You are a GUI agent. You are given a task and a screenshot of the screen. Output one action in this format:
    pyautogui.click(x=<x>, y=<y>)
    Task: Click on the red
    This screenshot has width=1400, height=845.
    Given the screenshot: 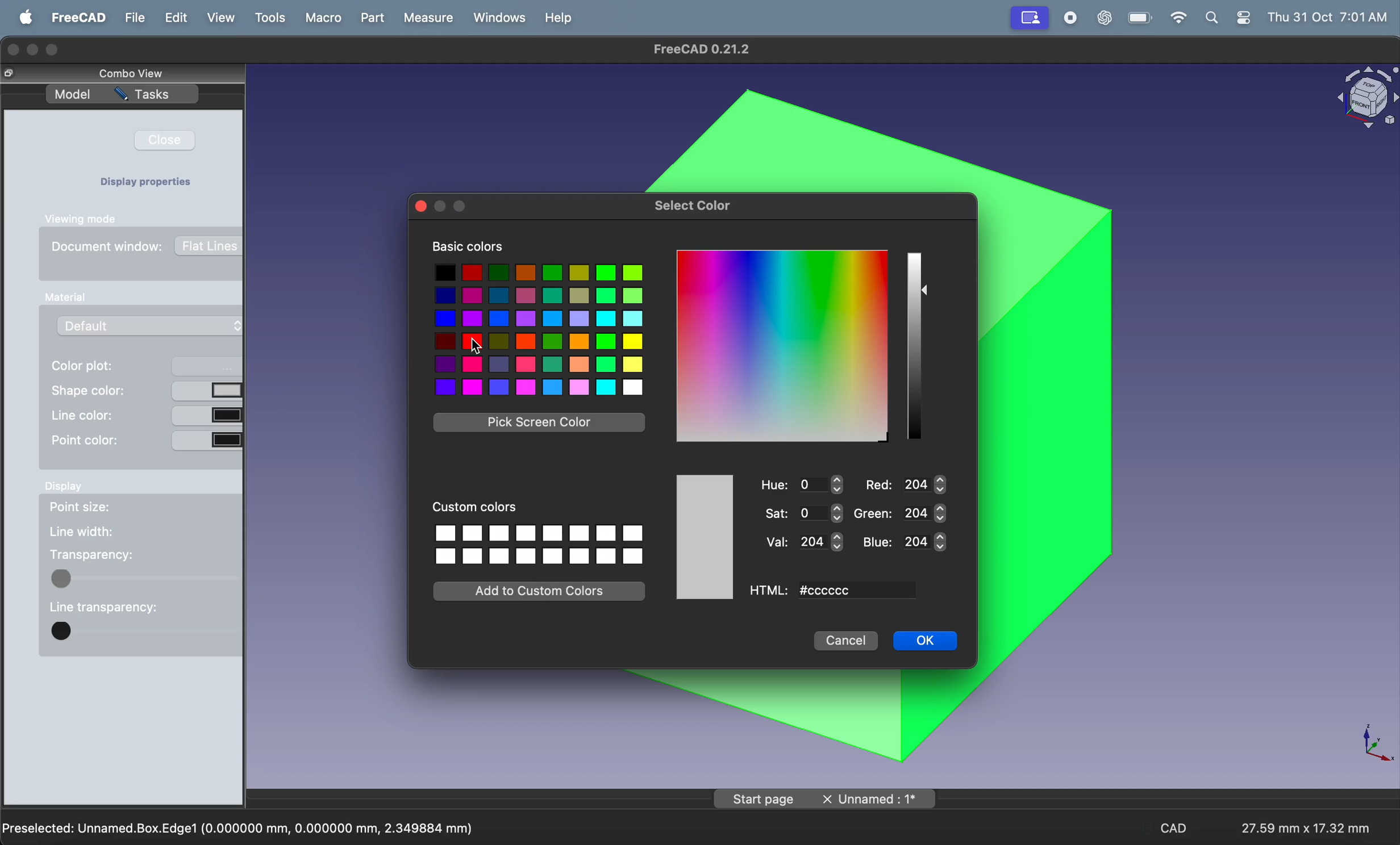 What is the action you would take?
    pyautogui.click(x=909, y=484)
    